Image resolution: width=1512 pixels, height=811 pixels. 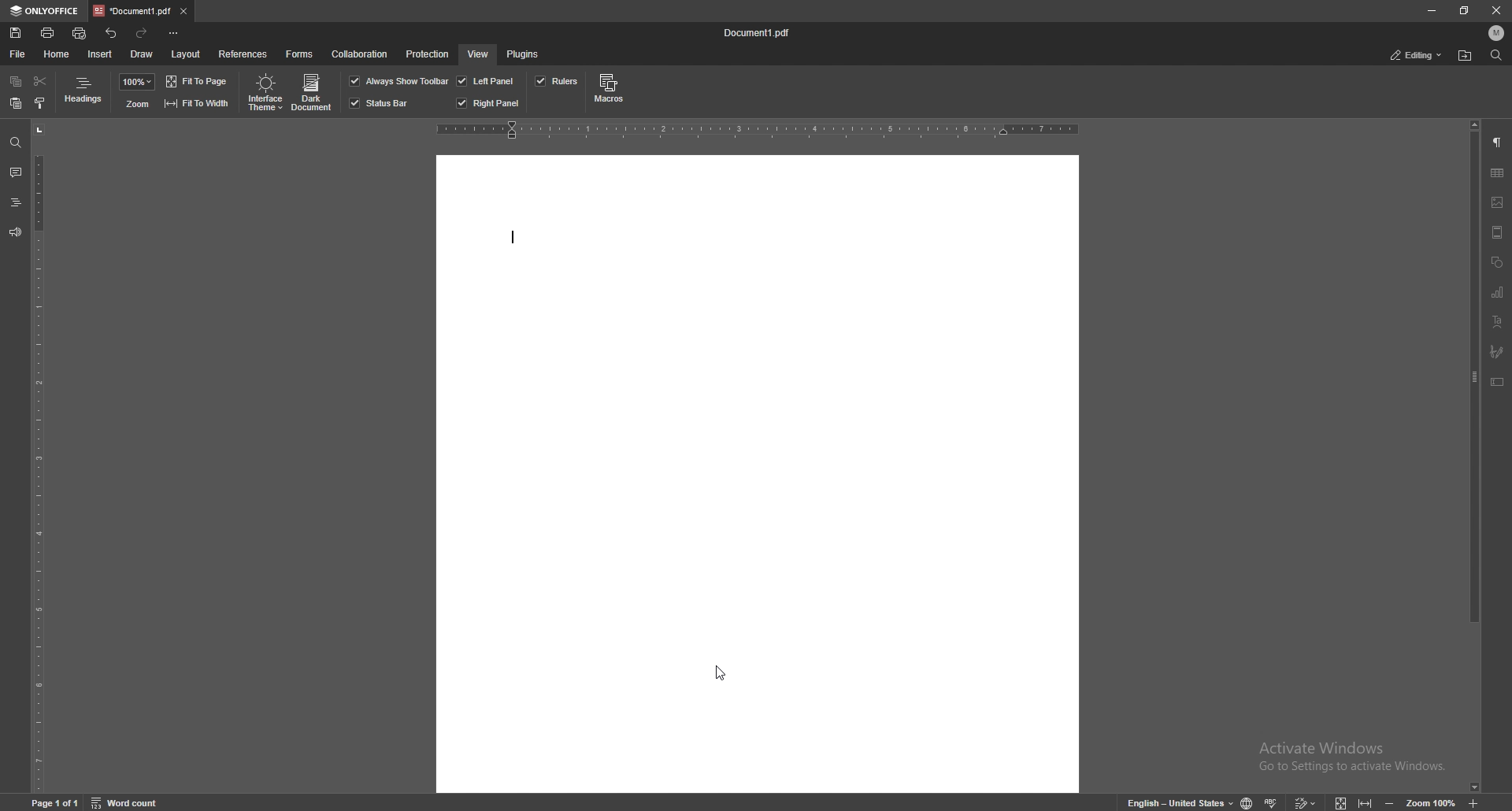 What do you see at coordinates (16, 33) in the screenshot?
I see `save` at bounding box center [16, 33].